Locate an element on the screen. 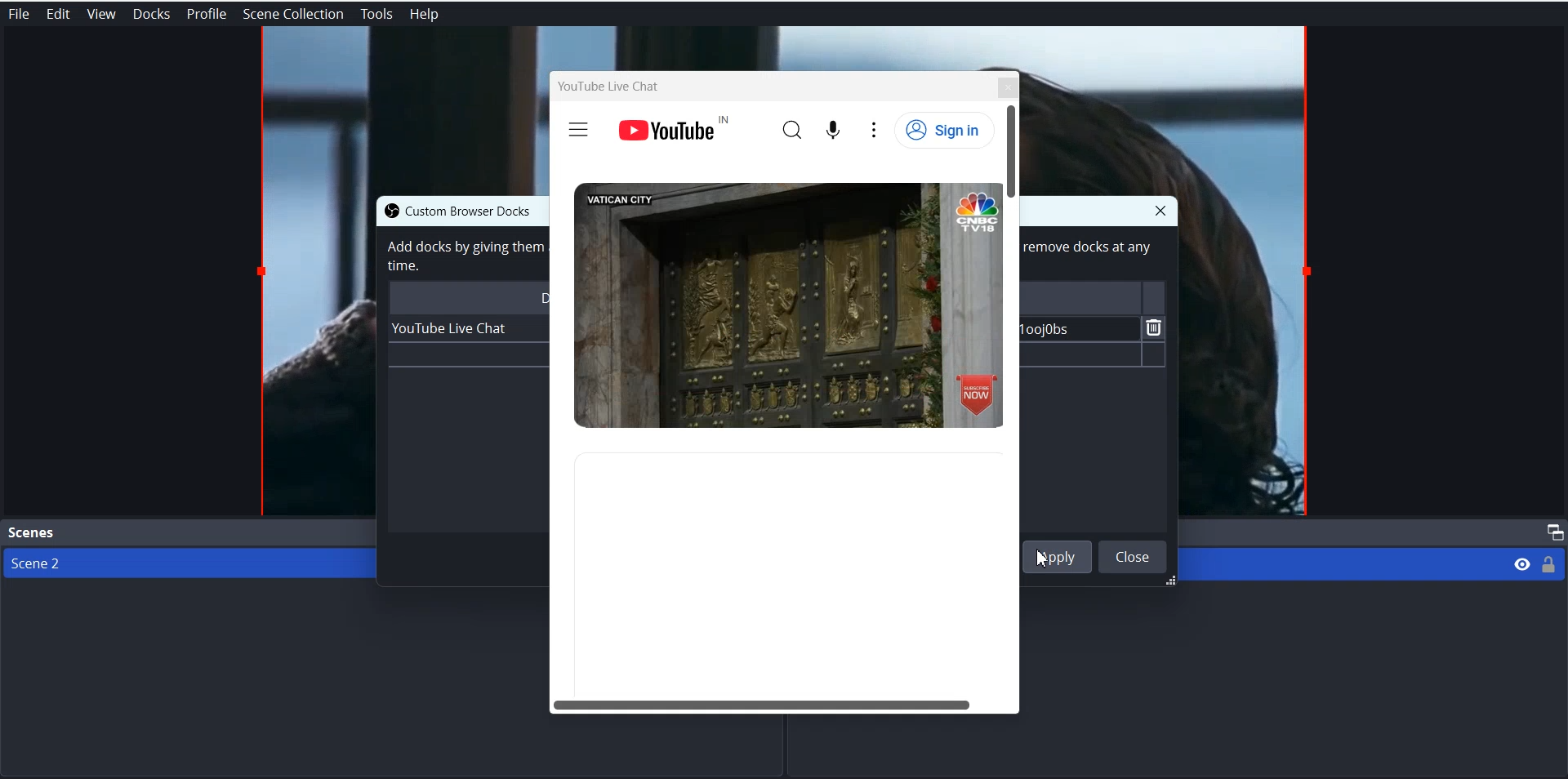 The image size is (1568, 779). Help is located at coordinates (425, 15).